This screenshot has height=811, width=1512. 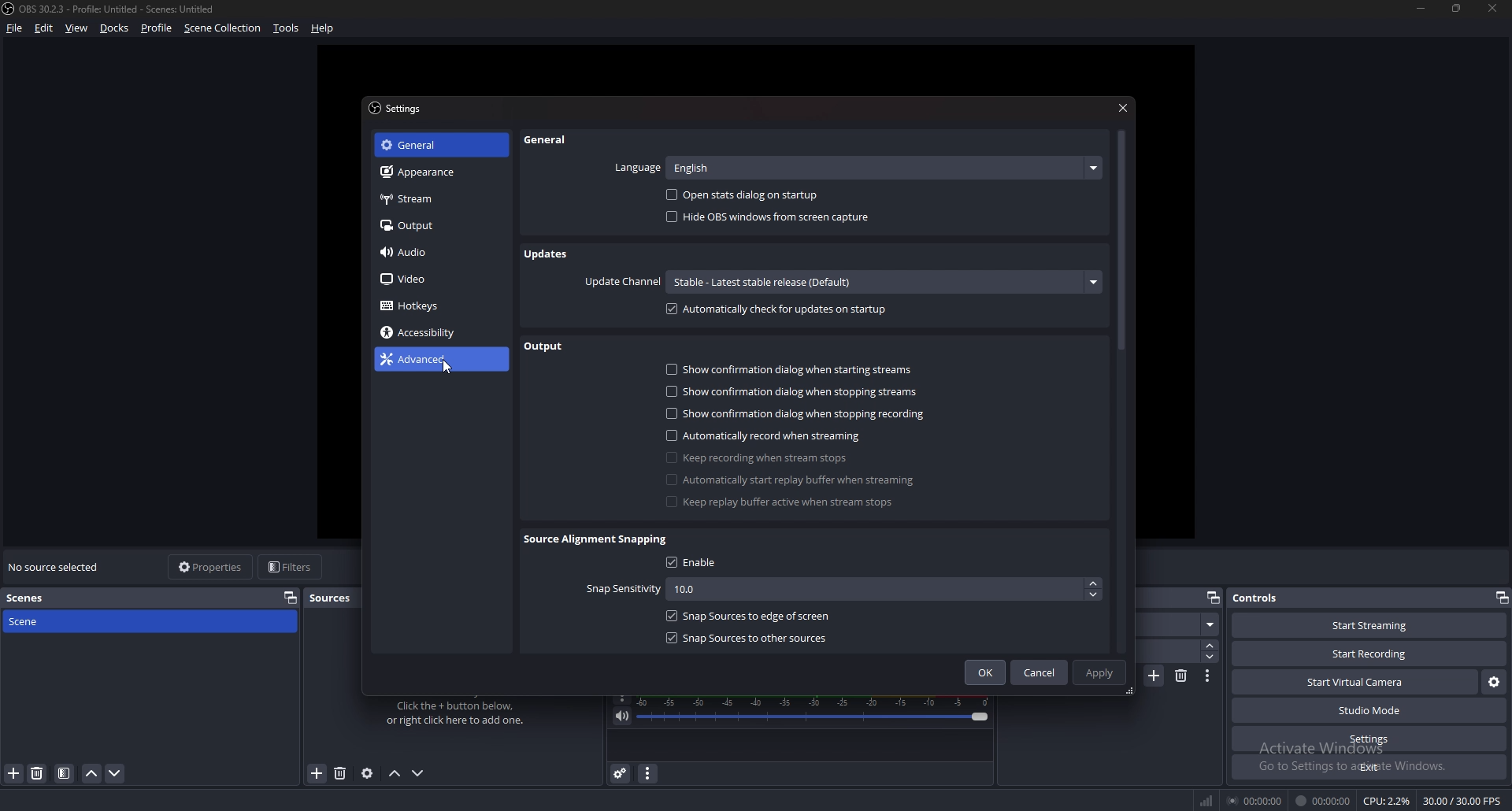 What do you see at coordinates (856, 167) in the screenshot?
I see `Language` at bounding box center [856, 167].